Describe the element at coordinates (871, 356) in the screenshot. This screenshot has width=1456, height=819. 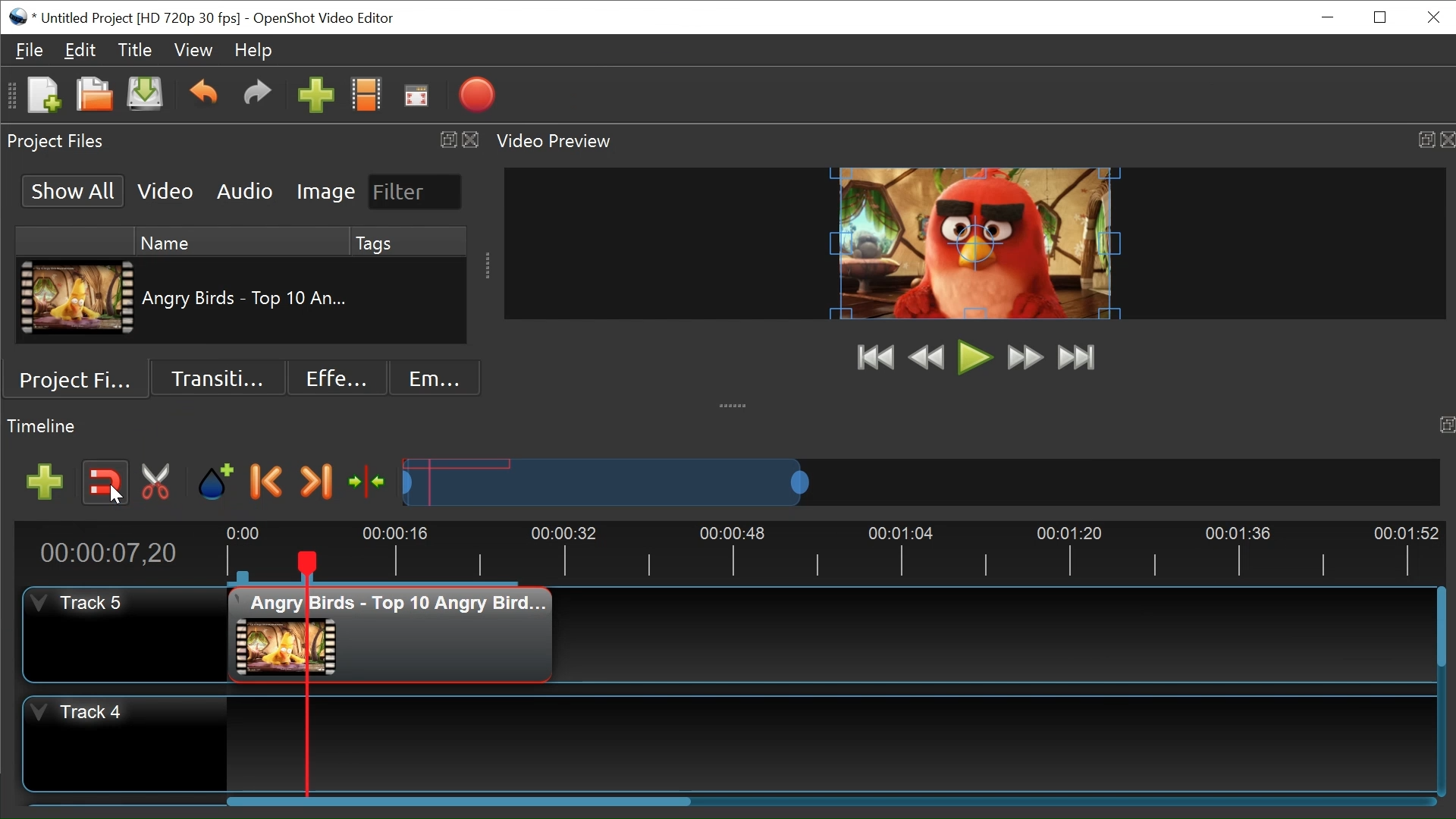
I see `Jump to Start` at that location.